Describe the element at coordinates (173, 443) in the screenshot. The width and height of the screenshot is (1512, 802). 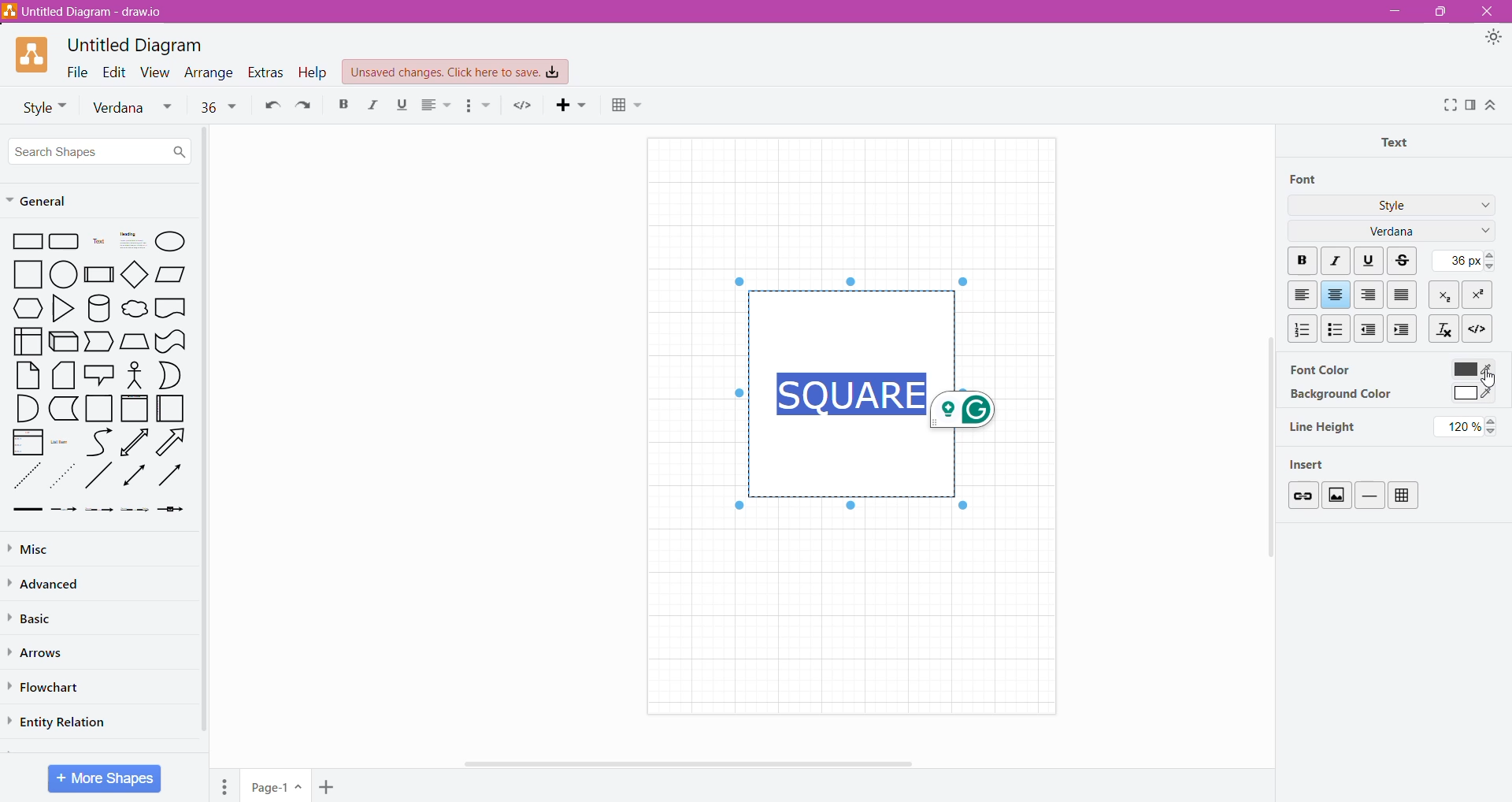
I see `Right Diagonal Arrow` at that location.